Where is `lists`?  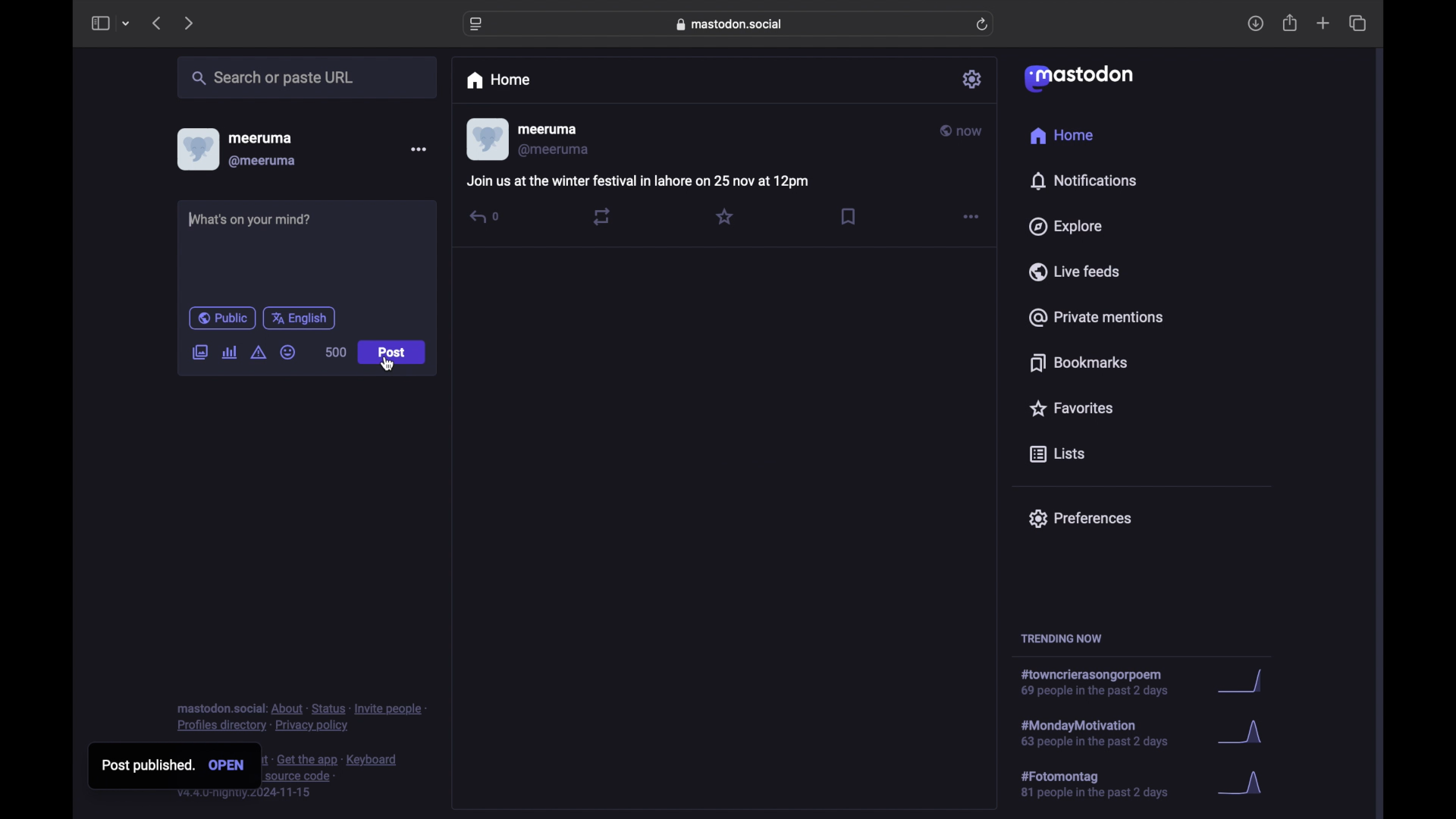 lists is located at coordinates (1057, 455).